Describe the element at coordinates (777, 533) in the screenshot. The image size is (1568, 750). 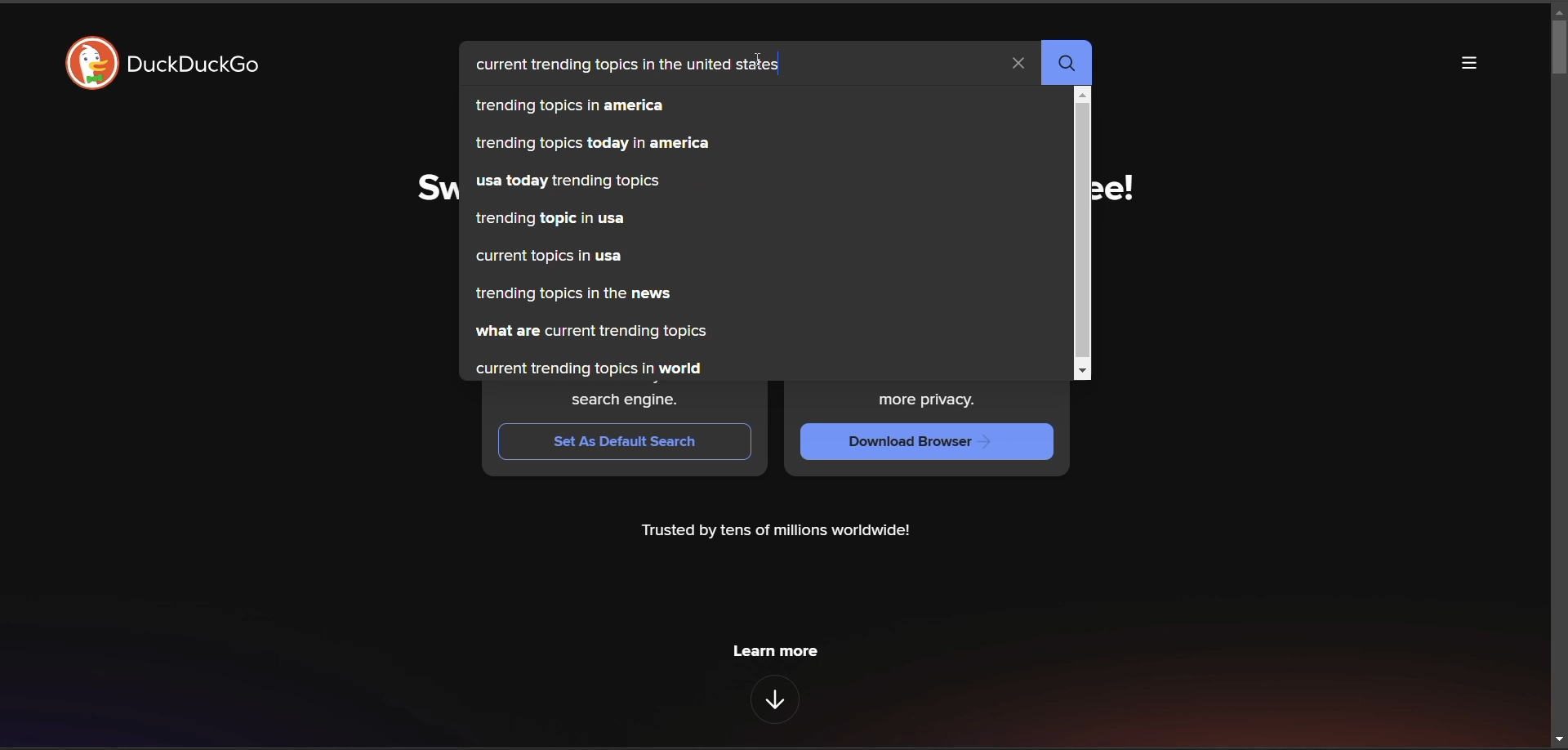
I see `Trusted by tens of millions worldwide!` at that location.